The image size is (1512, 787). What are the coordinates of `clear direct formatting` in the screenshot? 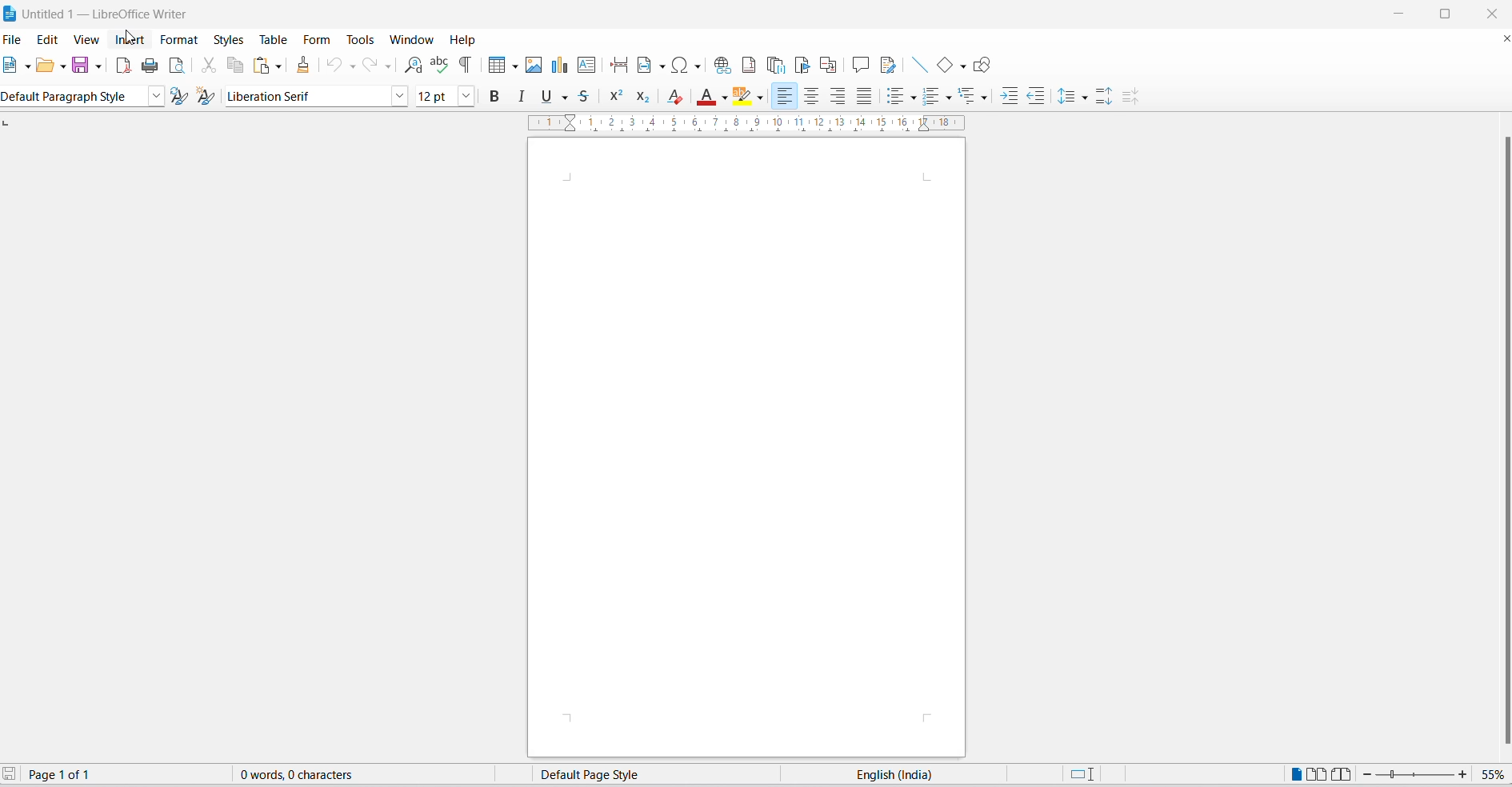 It's located at (678, 97).